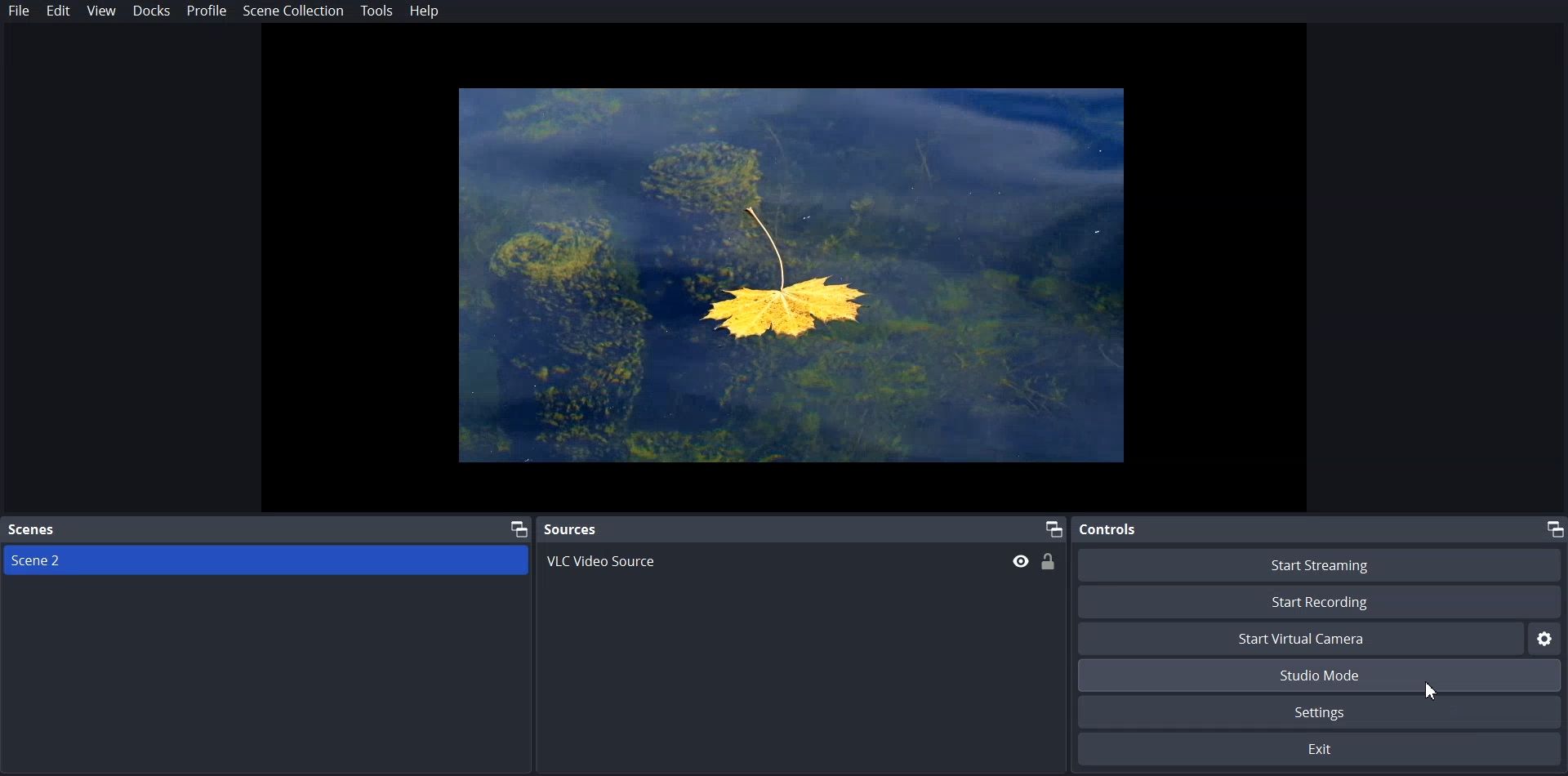  What do you see at coordinates (509, 528) in the screenshot?
I see `Maximize` at bounding box center [509, 528].